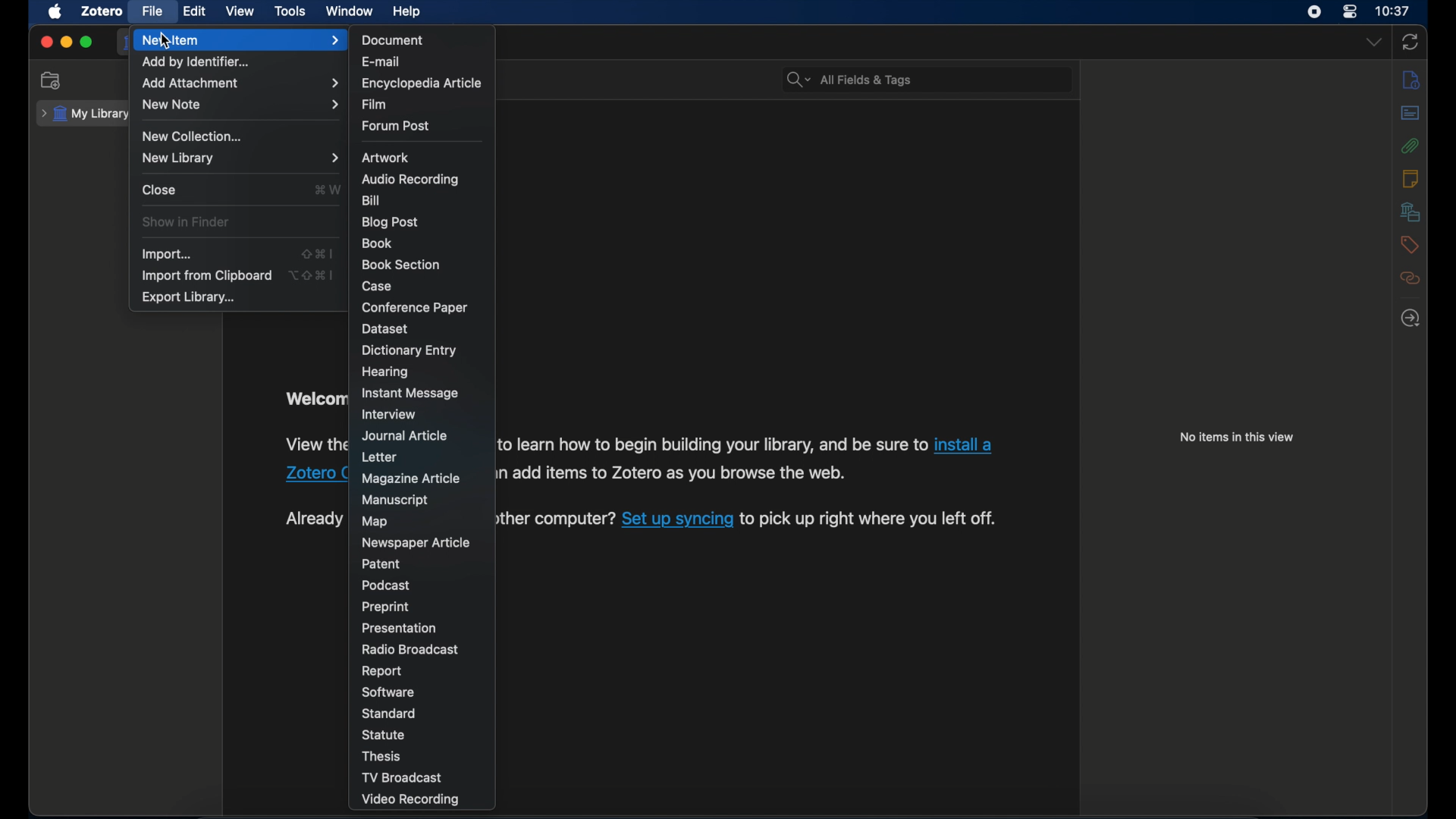  I want to click on dataset, so click(388, 328).